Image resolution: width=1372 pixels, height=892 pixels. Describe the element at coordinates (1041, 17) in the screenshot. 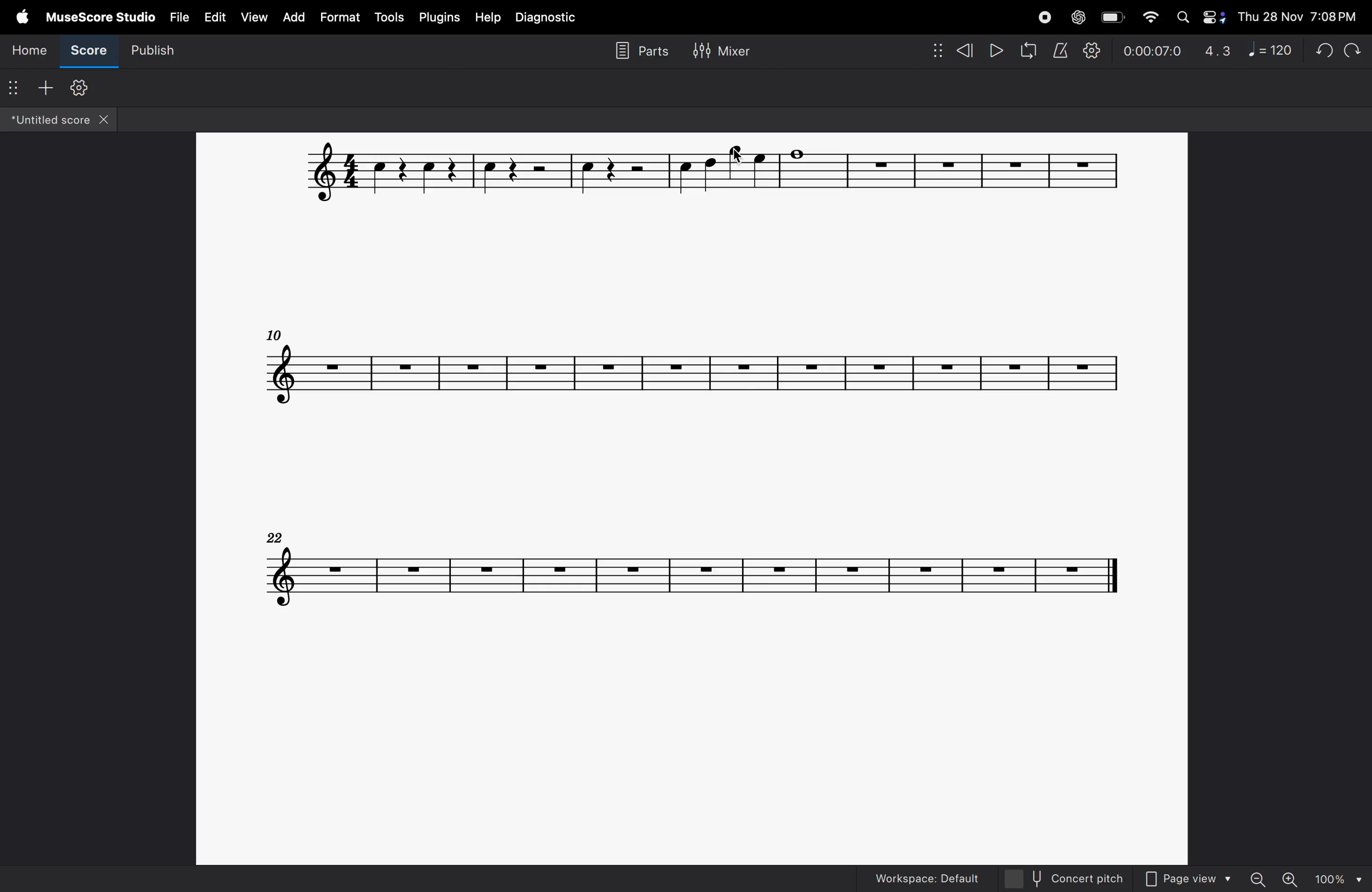

I see `record` at that location.